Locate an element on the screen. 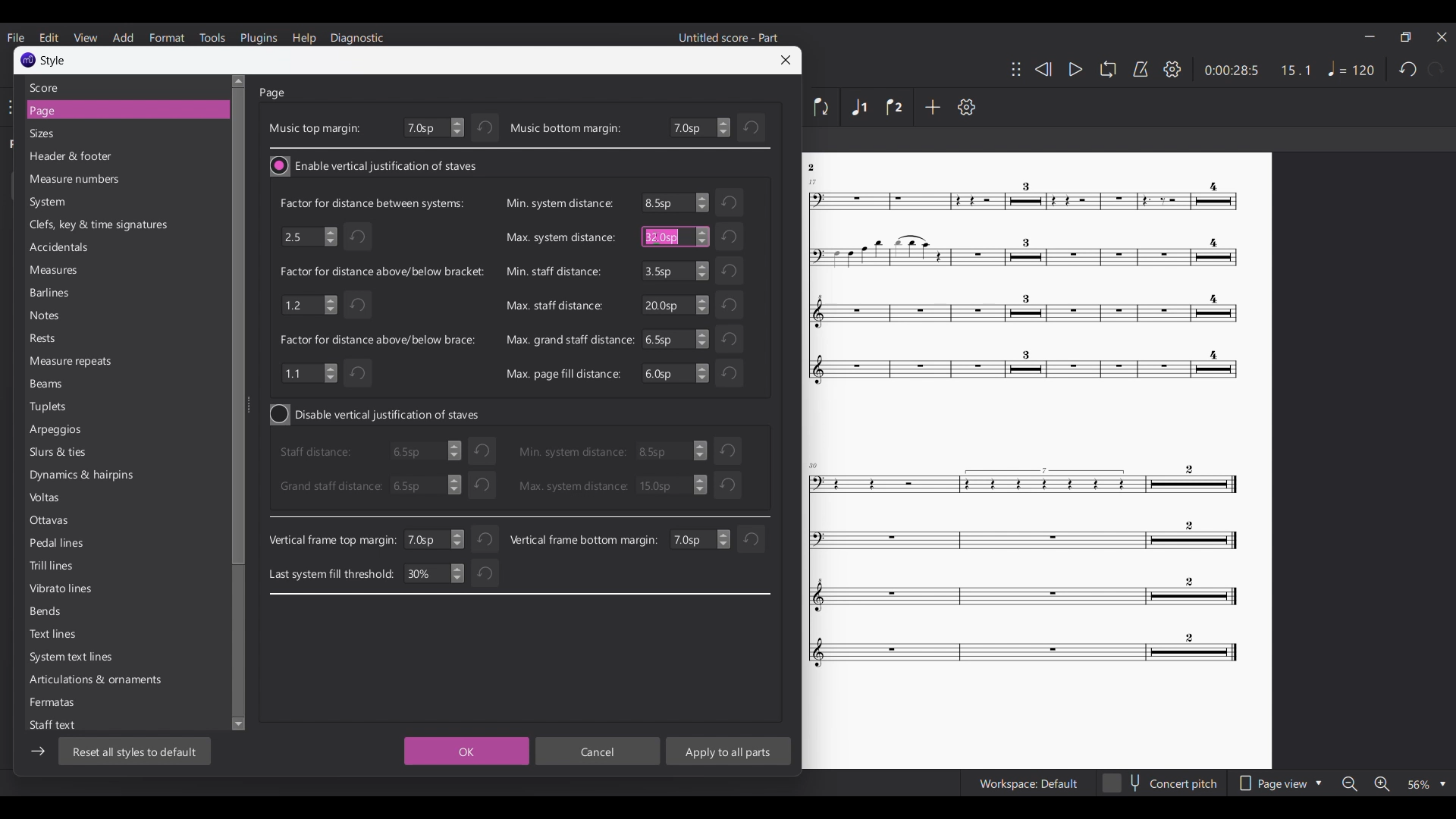 The width and height of the screenshot is (1456, 819). Measure repeats is located at coordinates (74, 361).